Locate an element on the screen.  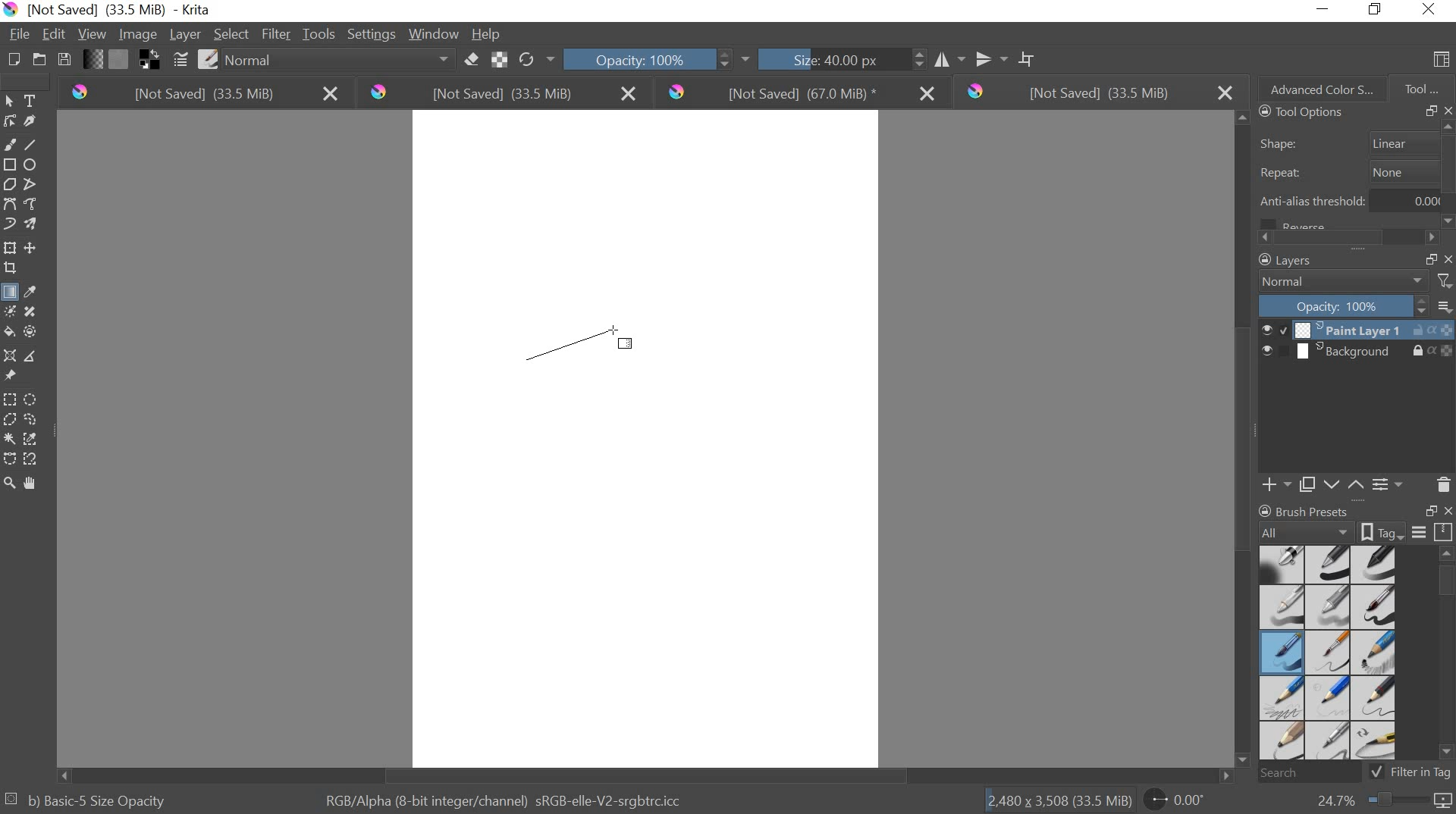
PAINT LAYER is located at coordinates (1357, 330).